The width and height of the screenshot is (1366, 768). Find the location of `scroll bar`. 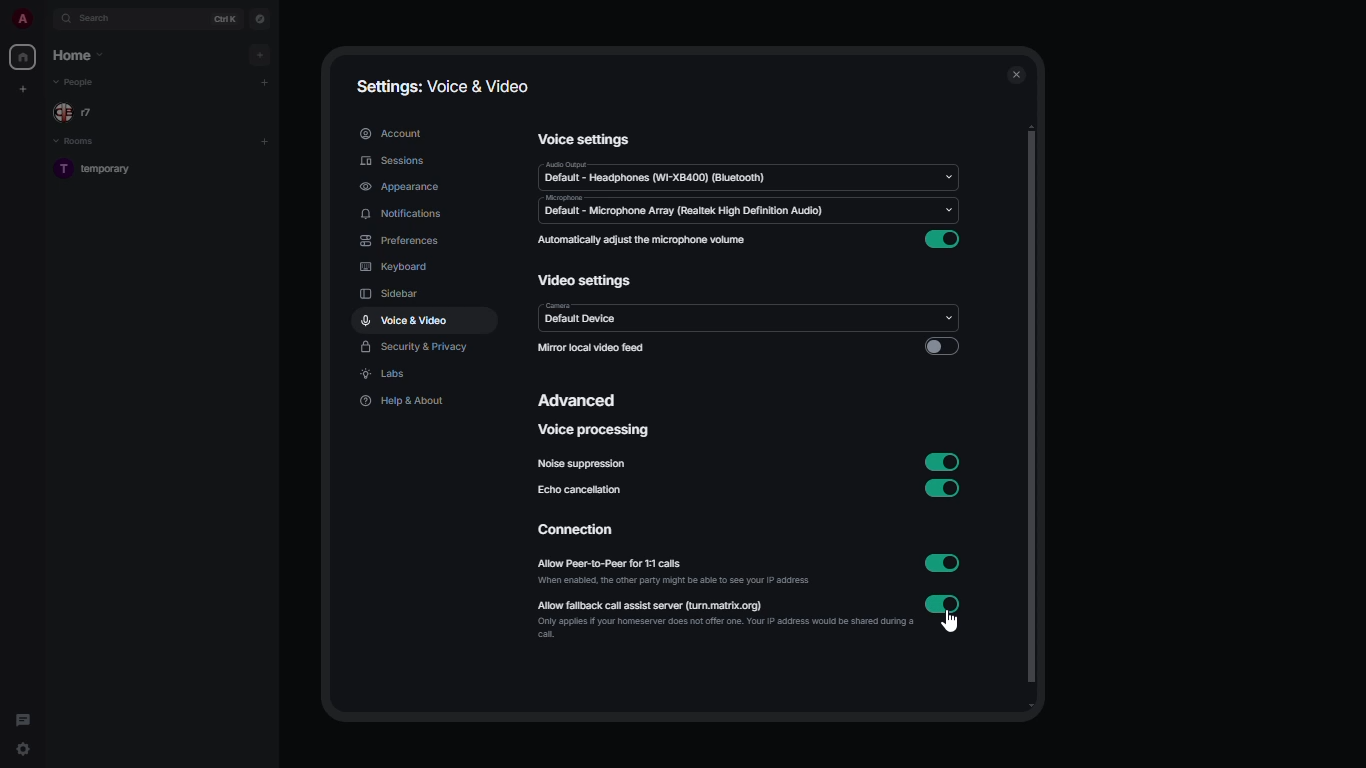

scroll bar is located at coordinates (1029, 415).